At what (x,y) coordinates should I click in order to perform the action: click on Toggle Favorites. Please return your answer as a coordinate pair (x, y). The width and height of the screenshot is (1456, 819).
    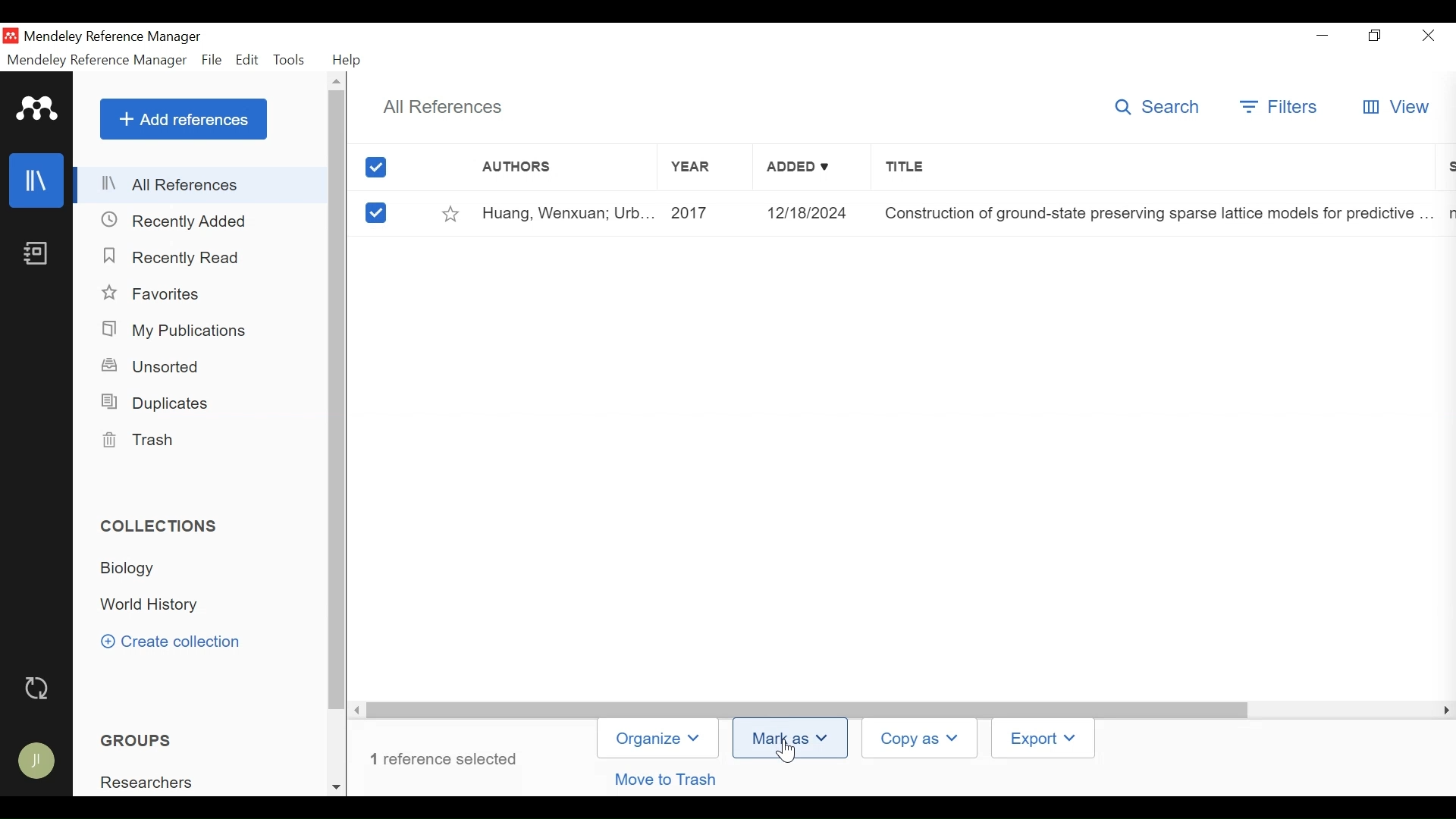
    Looking at the image, I should click on (452, 215).